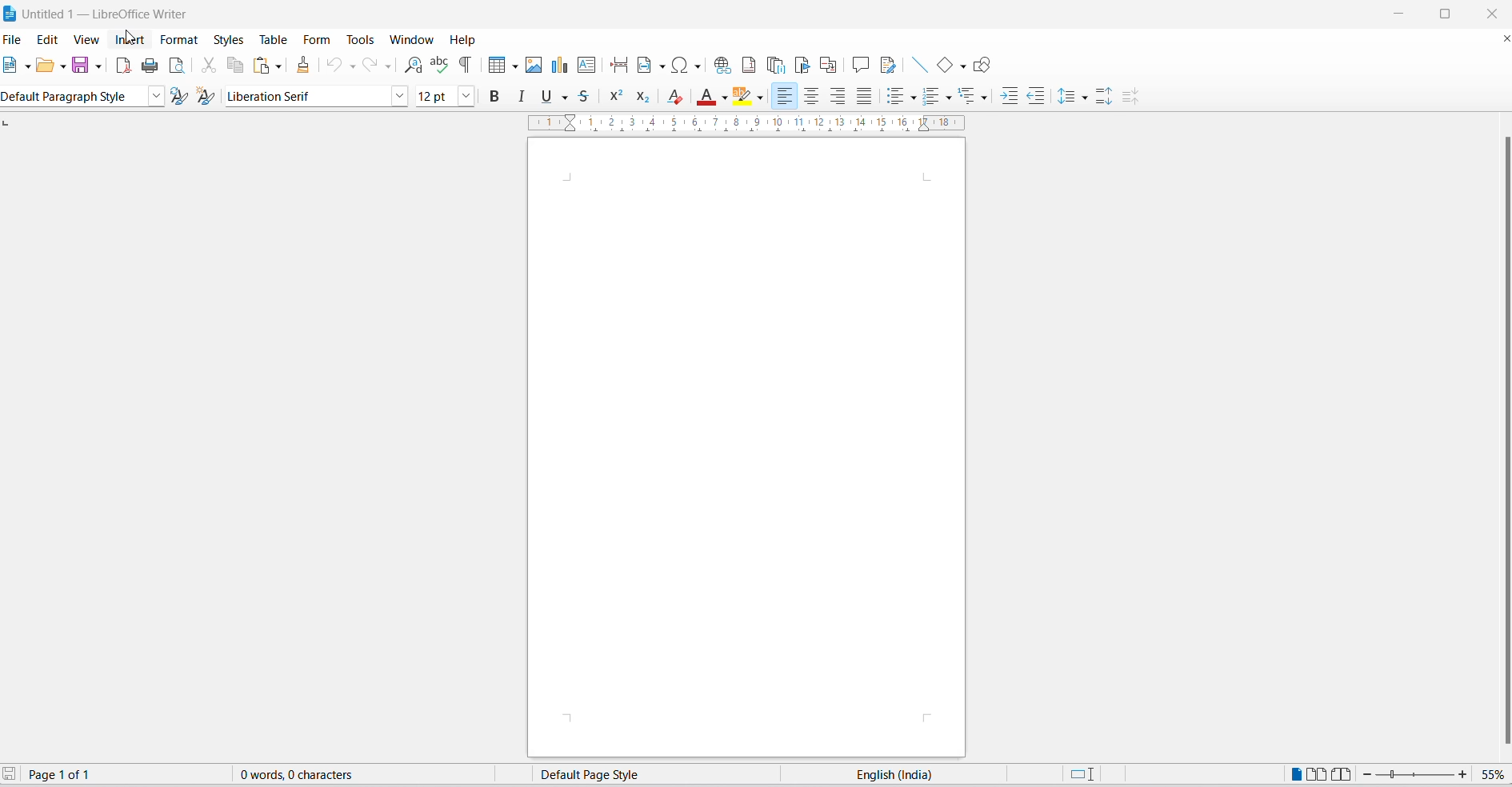 This screenshot has height=787, width=1512. Describe the element at coordinates (1492, 775) in the screenshot. I see `zoom percentage` at that location.